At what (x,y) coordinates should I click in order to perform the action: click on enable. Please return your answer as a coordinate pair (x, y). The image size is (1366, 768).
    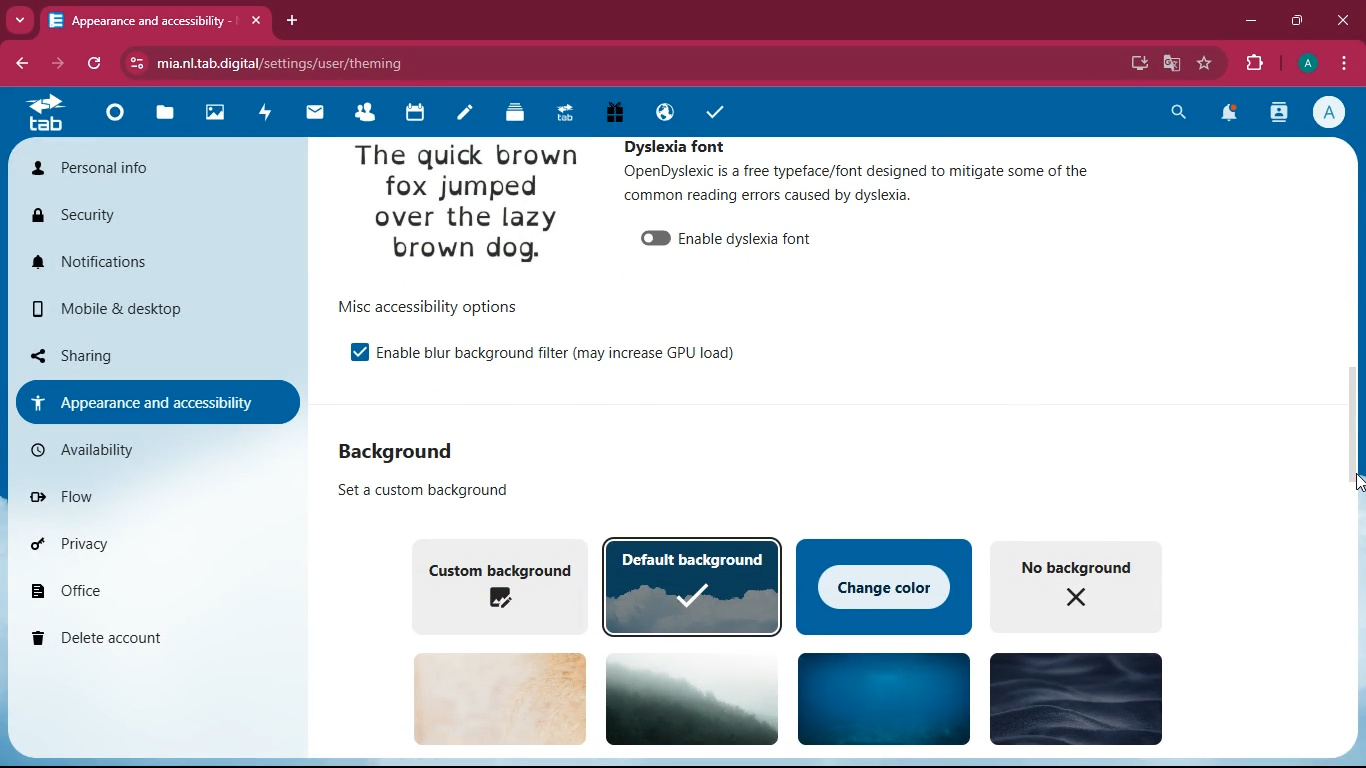
    Looking at the image, I should click on (359, 353).